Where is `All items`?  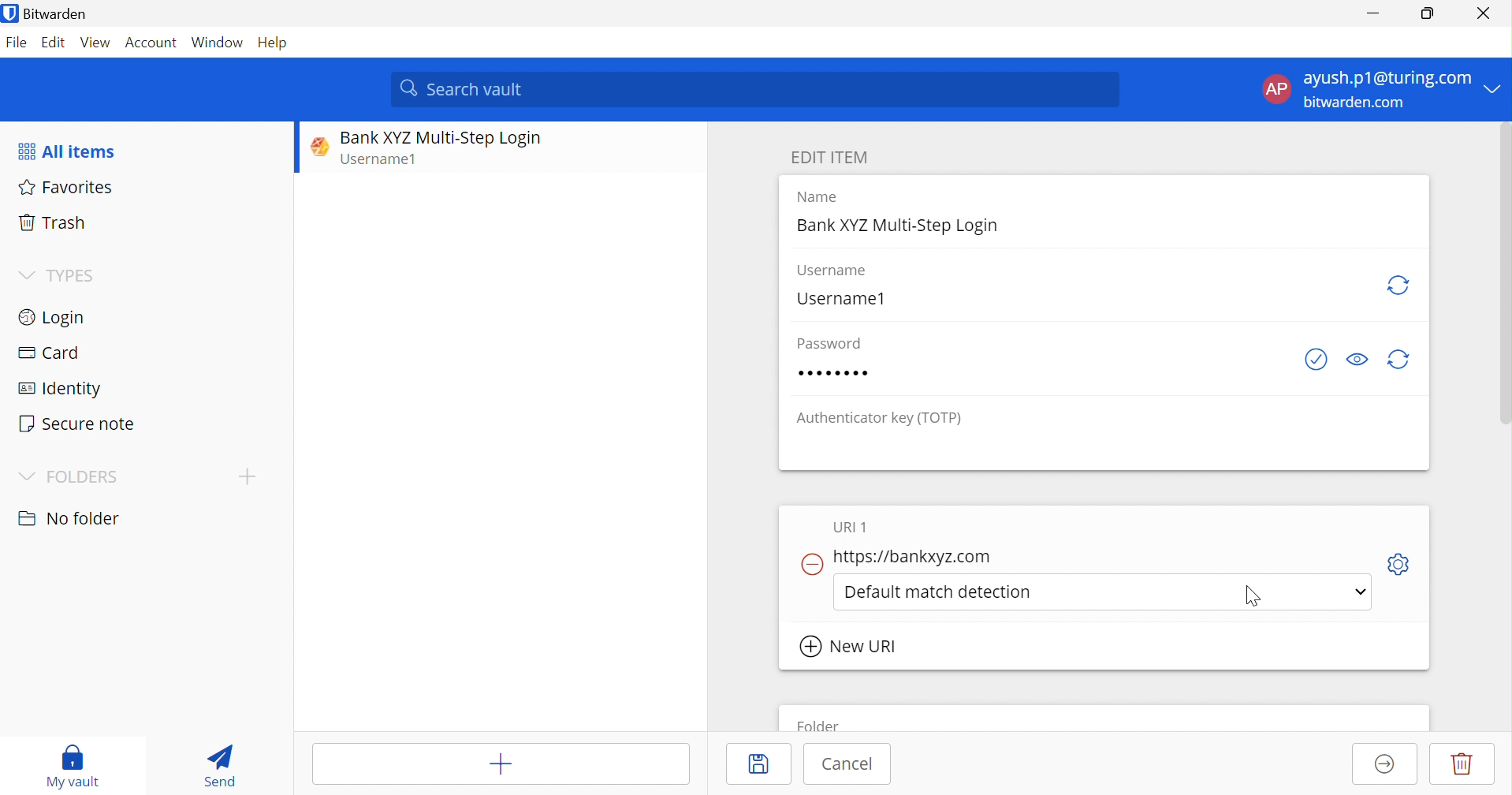 All items is located at coordinates (65, 152).